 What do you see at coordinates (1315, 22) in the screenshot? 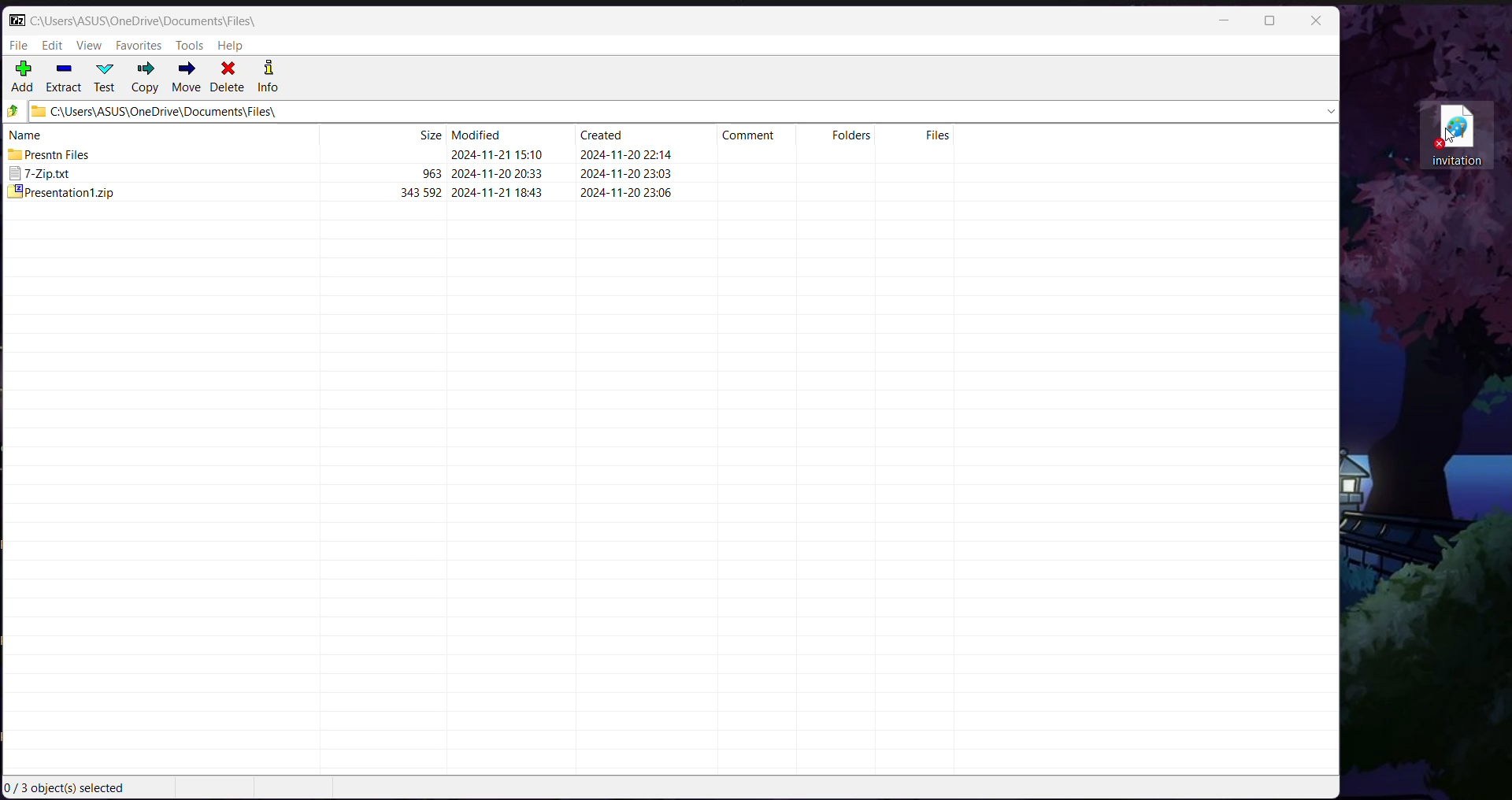
I see `Close` at bounding box center [1315, 22].